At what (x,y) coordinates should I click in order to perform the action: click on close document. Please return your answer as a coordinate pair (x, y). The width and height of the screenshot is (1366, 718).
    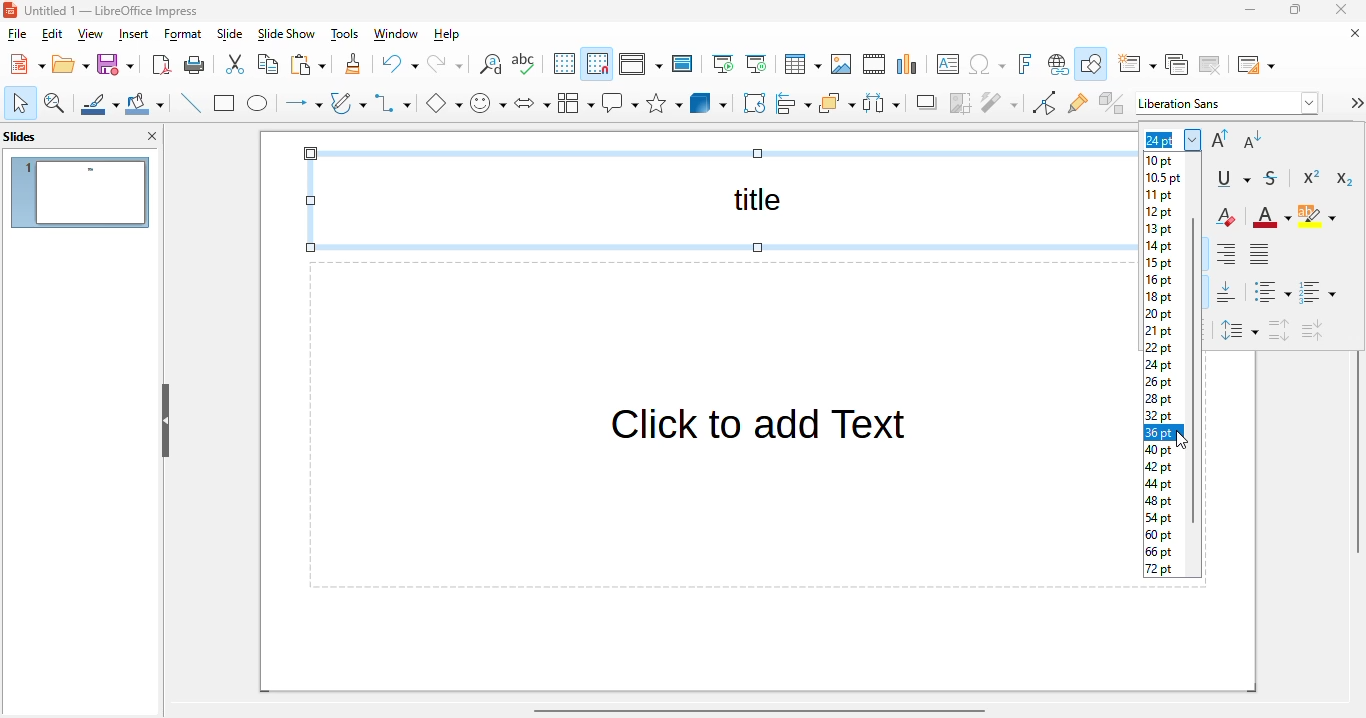
    Looking at the image, I should click on (1351, 33).